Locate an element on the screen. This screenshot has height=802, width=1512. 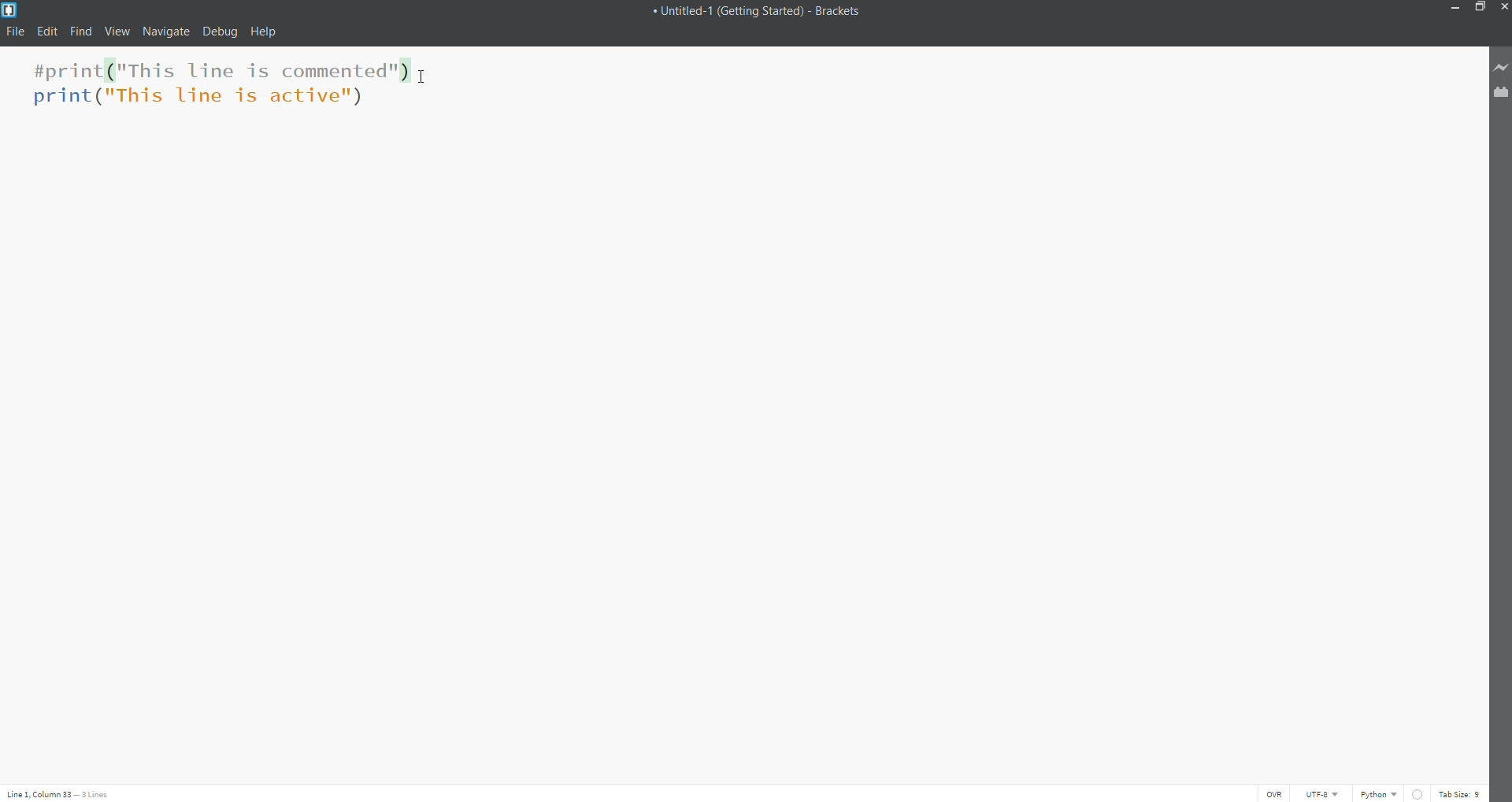
Minimize is located at coordinates (1455, 9).